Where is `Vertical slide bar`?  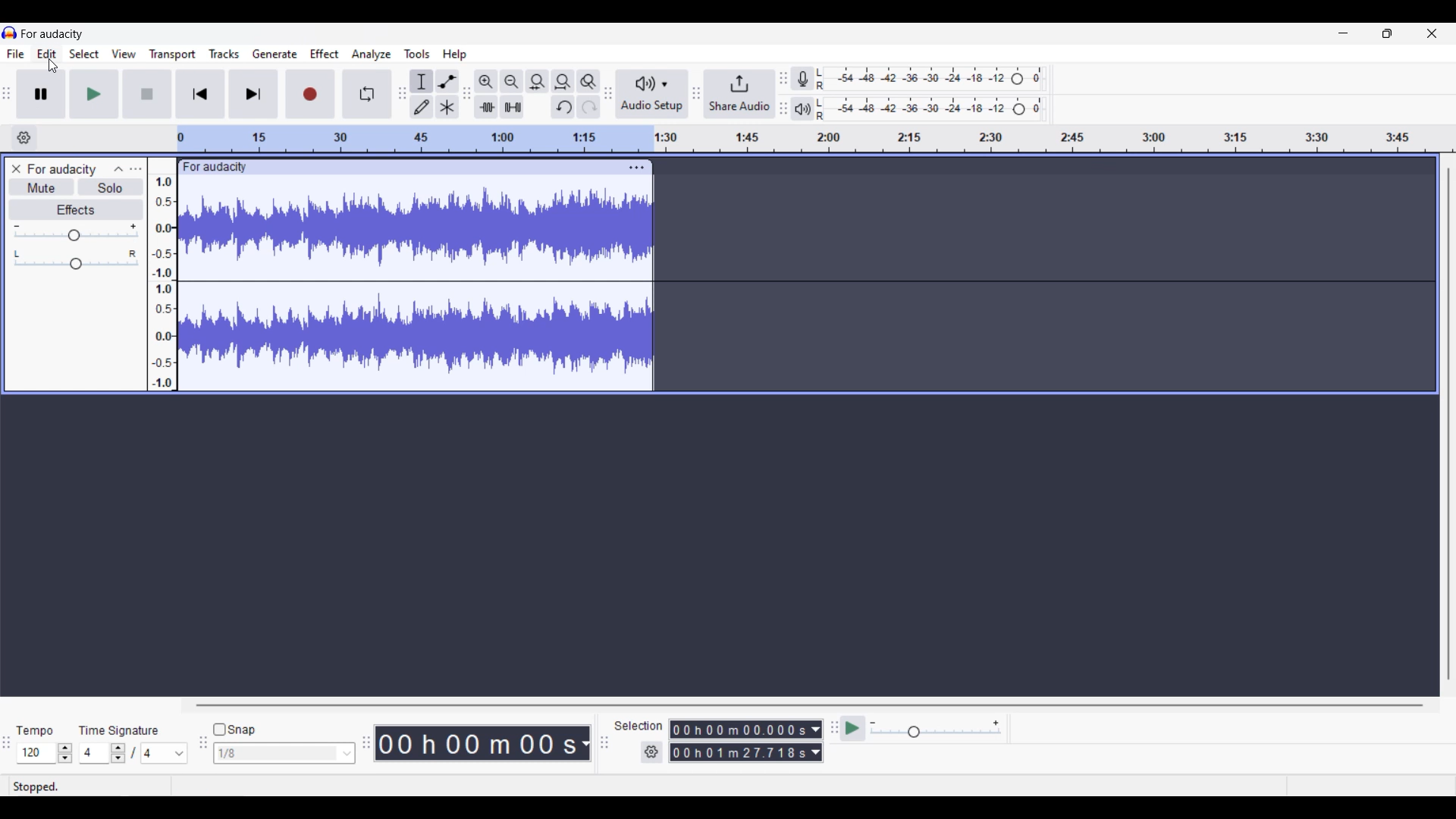 Vertical slide bar is located at coordinates (1448, 425).